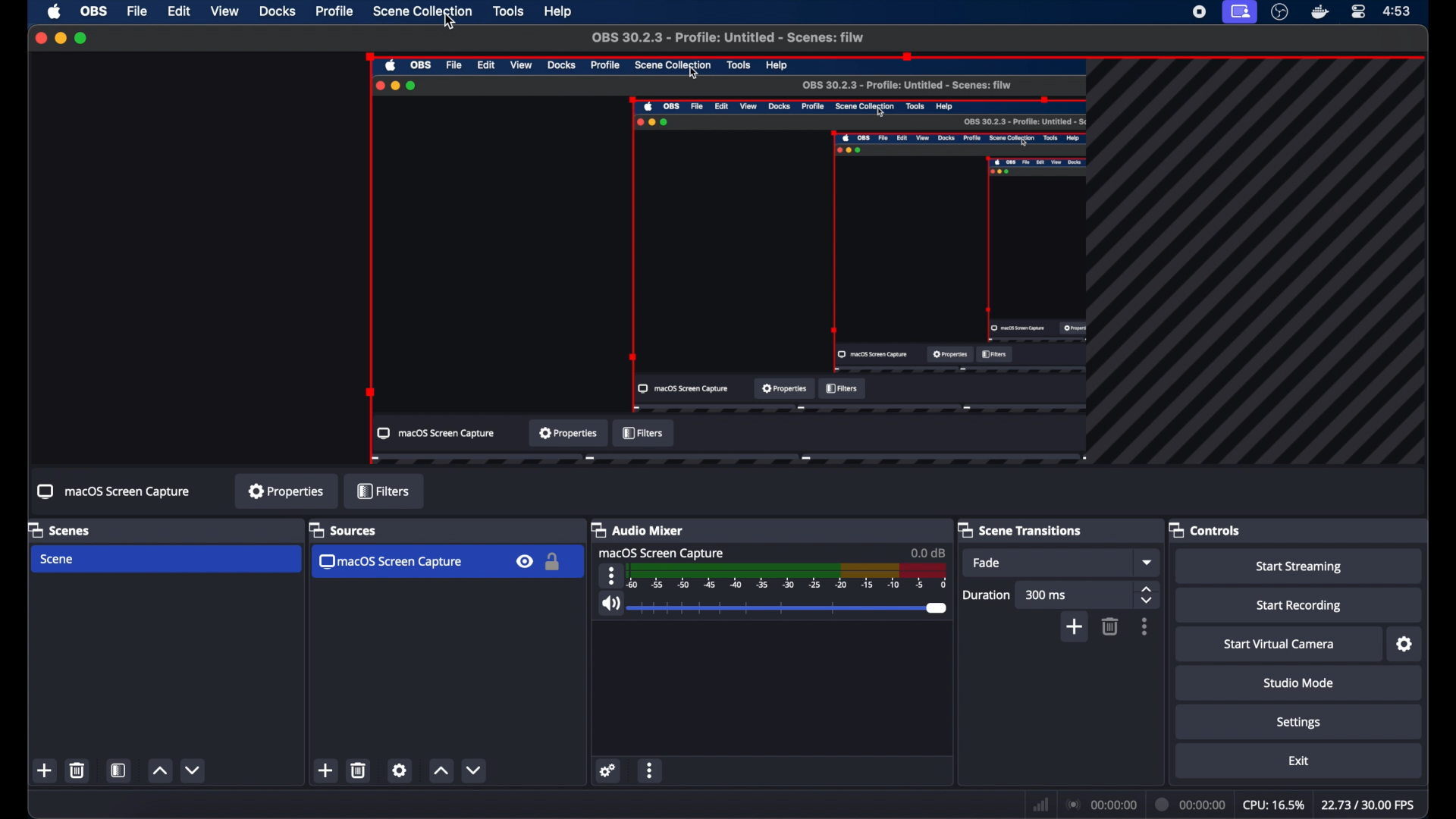 This screenshot has height=819, width=1456. What do you see at coordinates (789, 576) in the screenshot?
I see `scale` at bounding box center [789, 576].